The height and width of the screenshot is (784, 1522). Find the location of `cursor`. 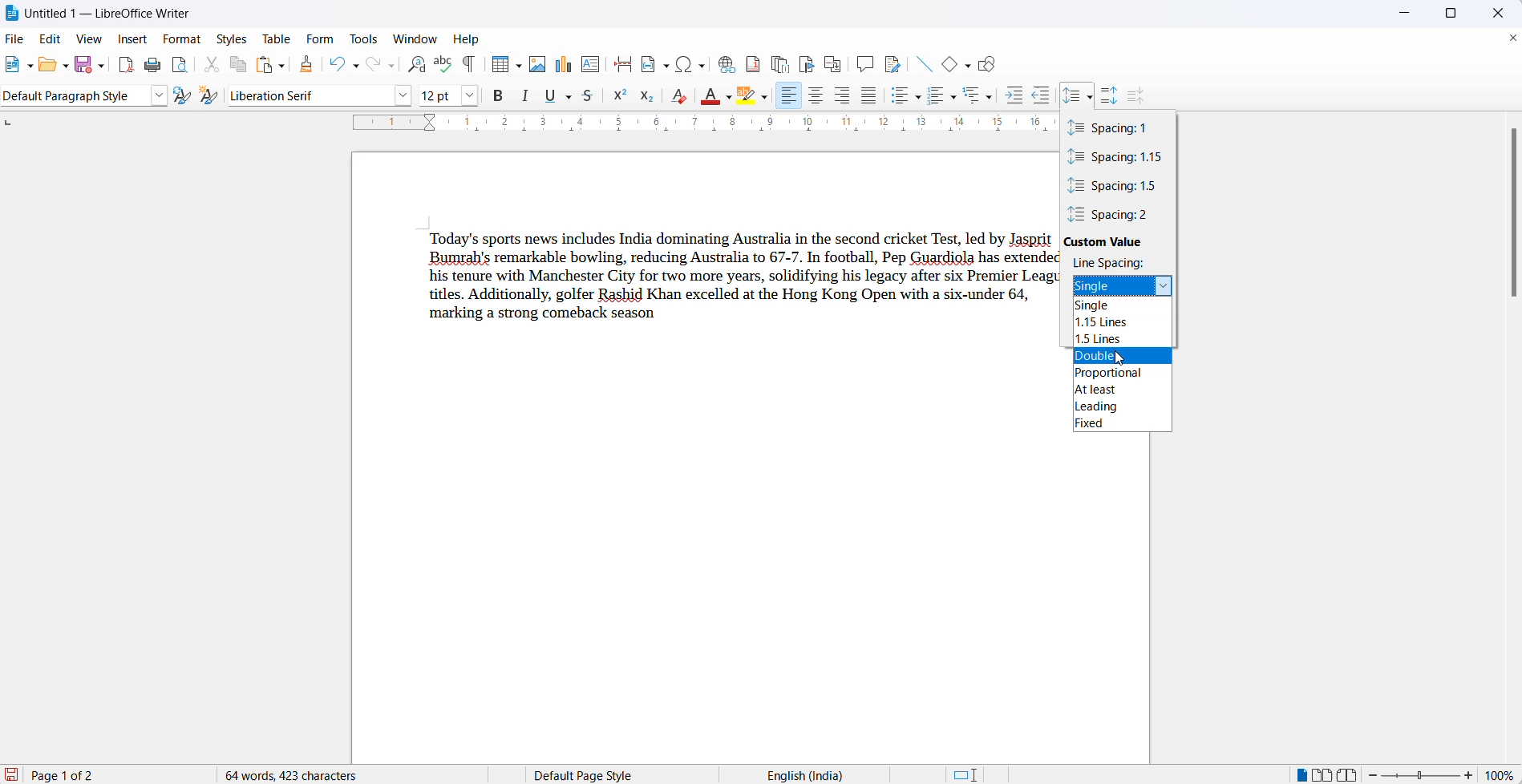

cursor is located at coordinates (1119, 359).